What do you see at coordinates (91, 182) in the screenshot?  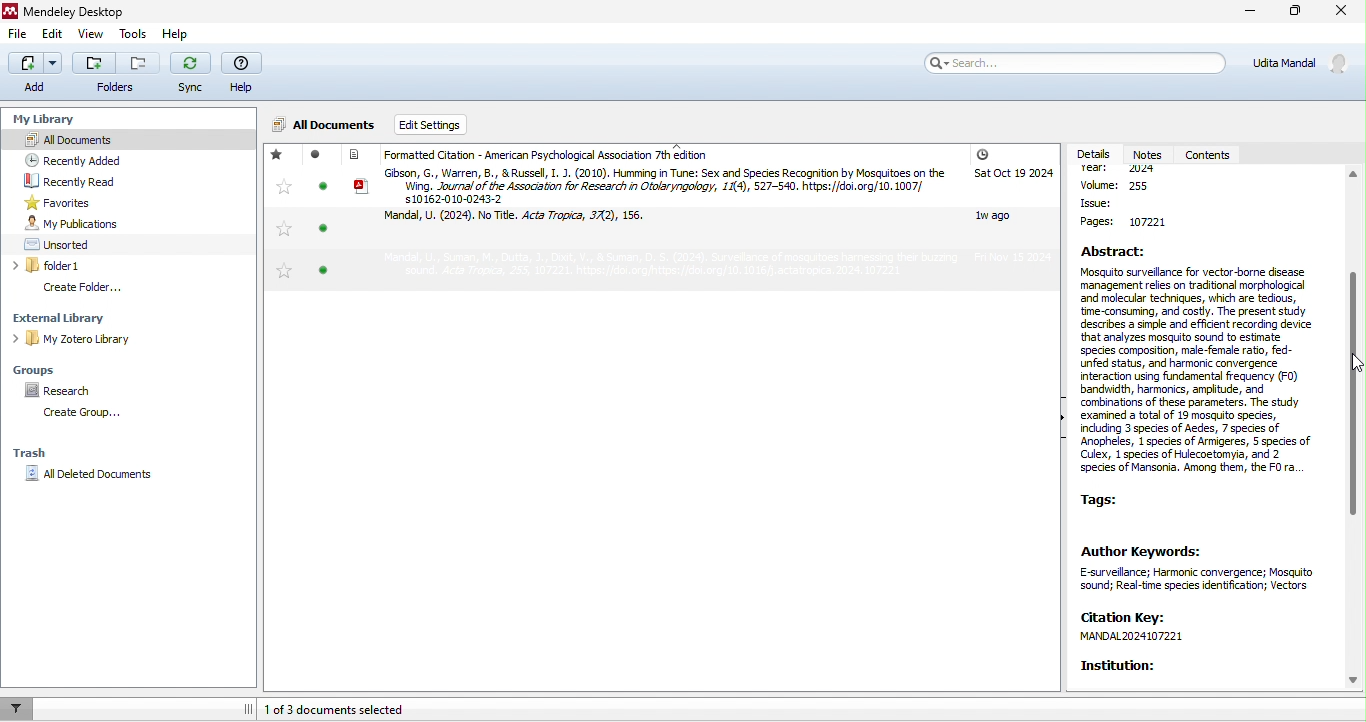 I see `recently read` at bounding box center [91, 182].